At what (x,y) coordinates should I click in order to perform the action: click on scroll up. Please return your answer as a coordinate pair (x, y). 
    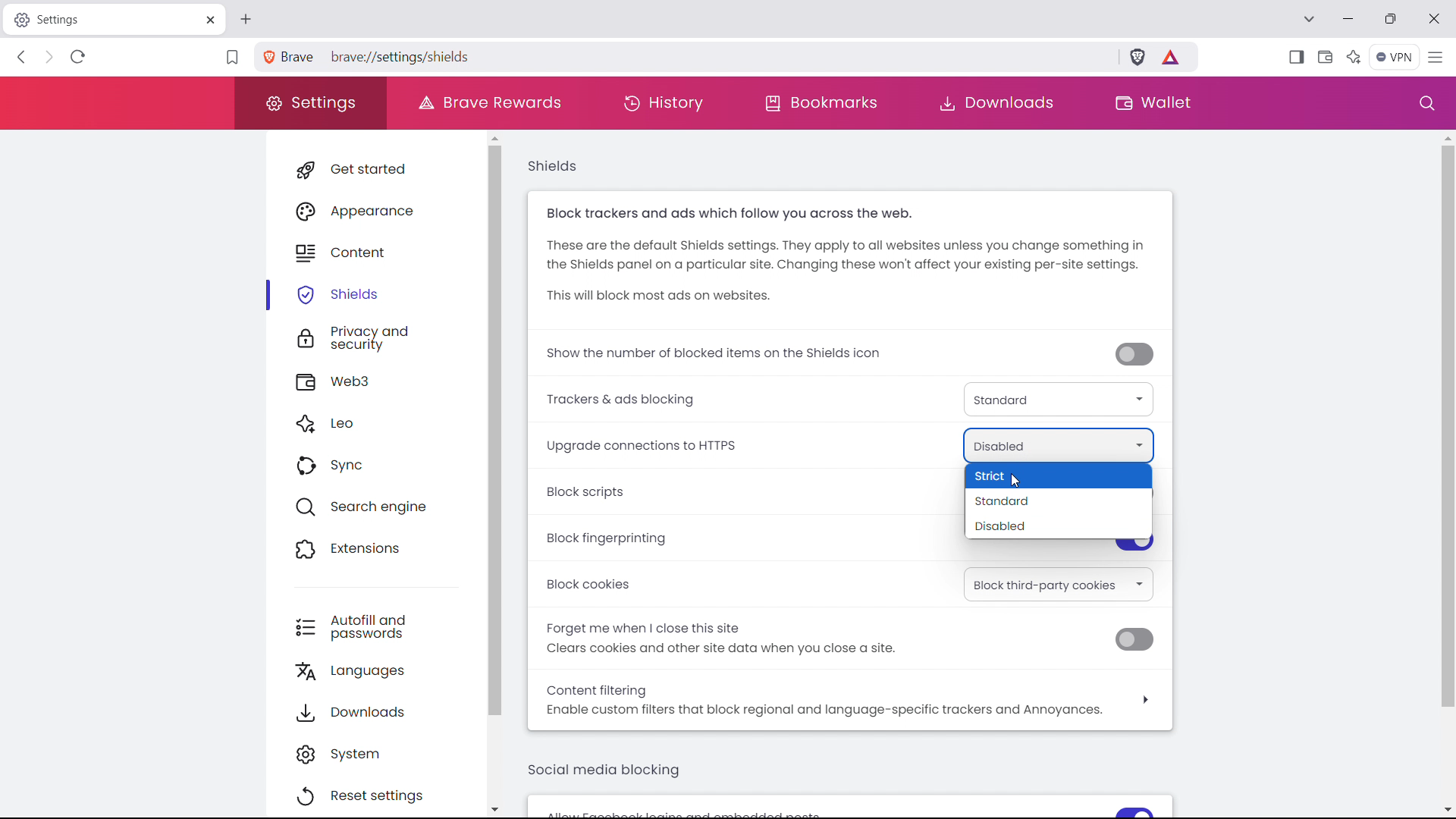
    Looking at the image, I should click on (1445, 136).